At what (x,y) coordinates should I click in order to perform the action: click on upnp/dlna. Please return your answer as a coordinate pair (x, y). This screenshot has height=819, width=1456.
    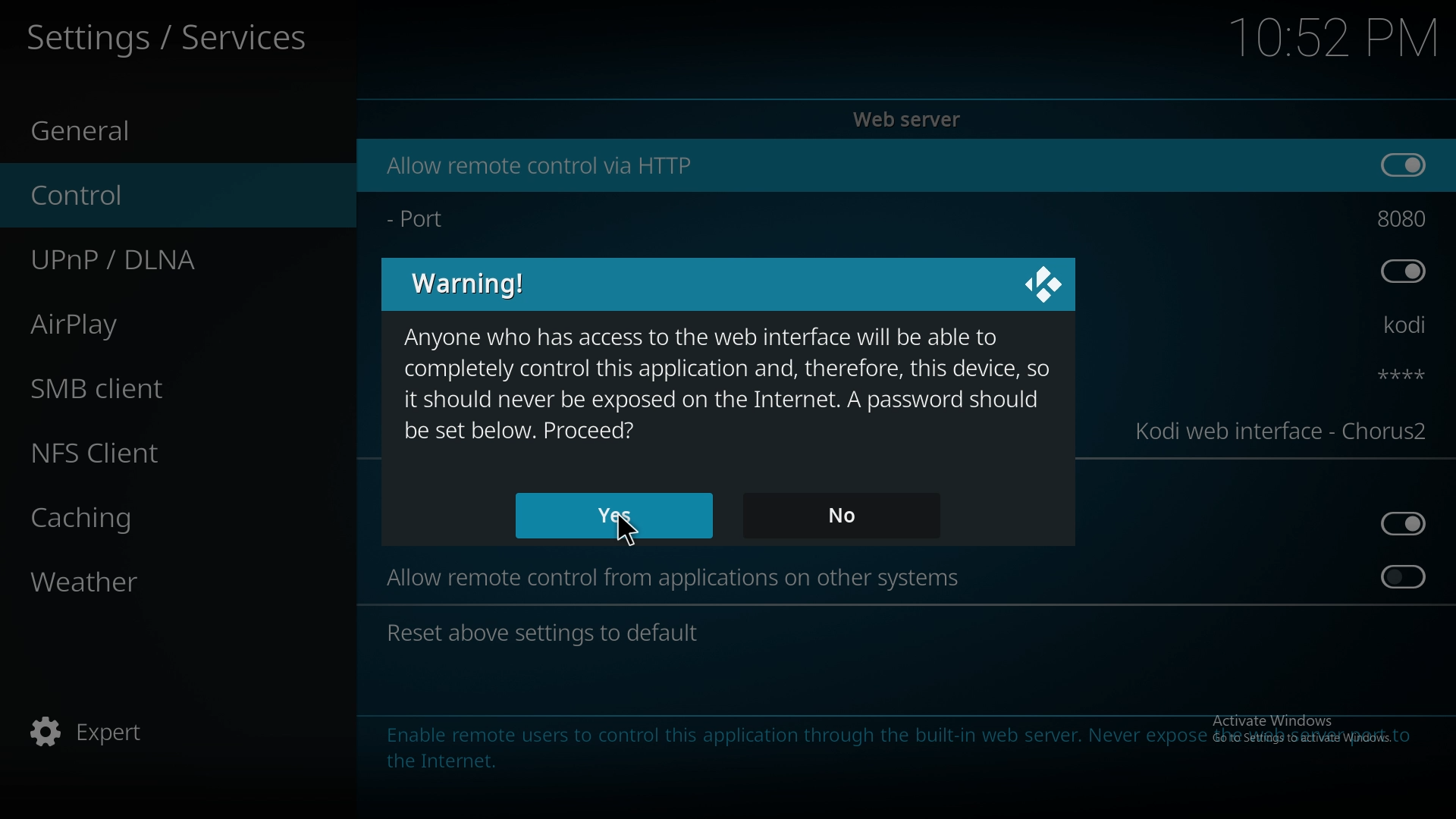
    Looking at the image, I should click on (162, 260).